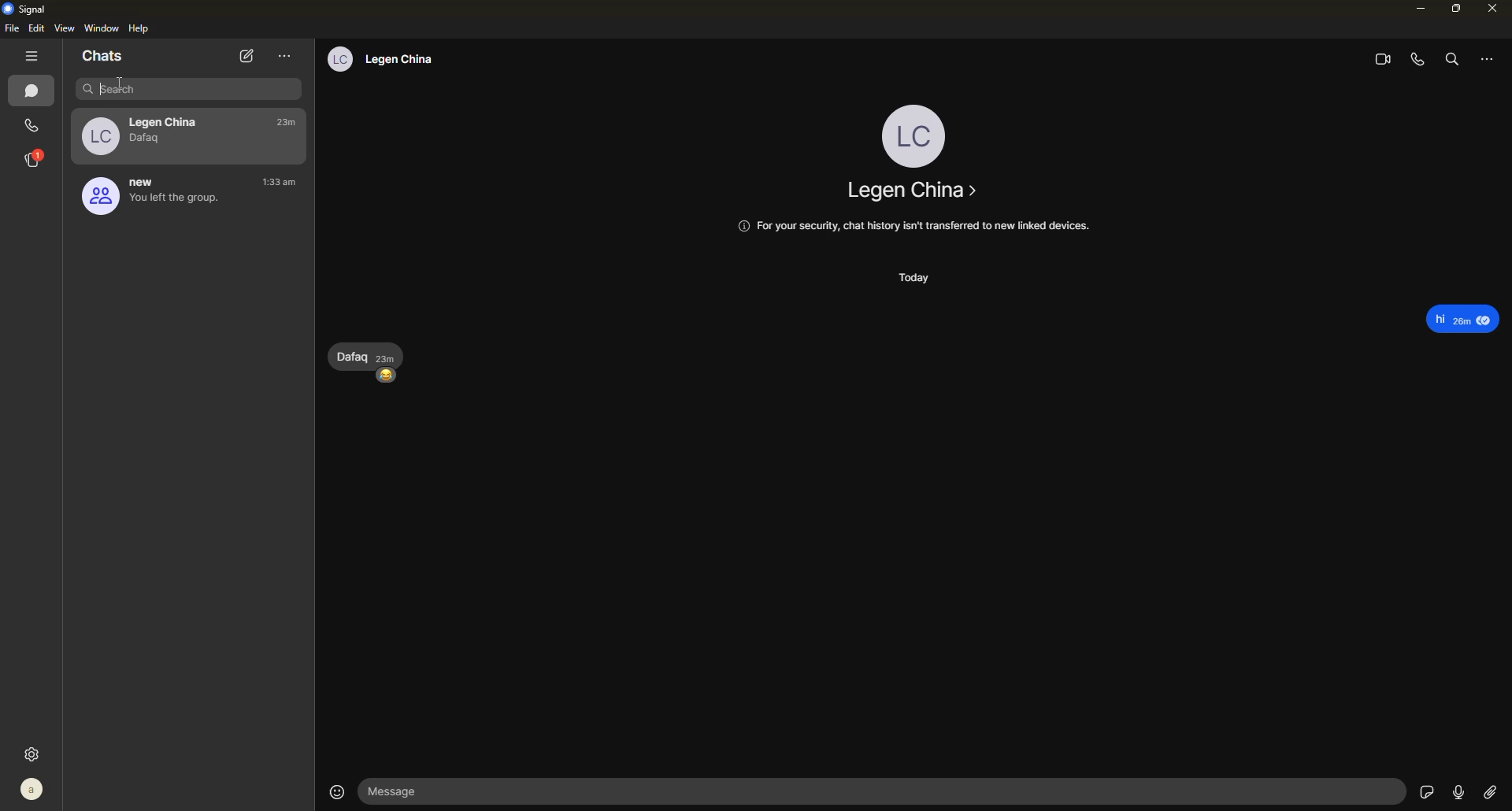  I want to click on call, so click(35, 128).